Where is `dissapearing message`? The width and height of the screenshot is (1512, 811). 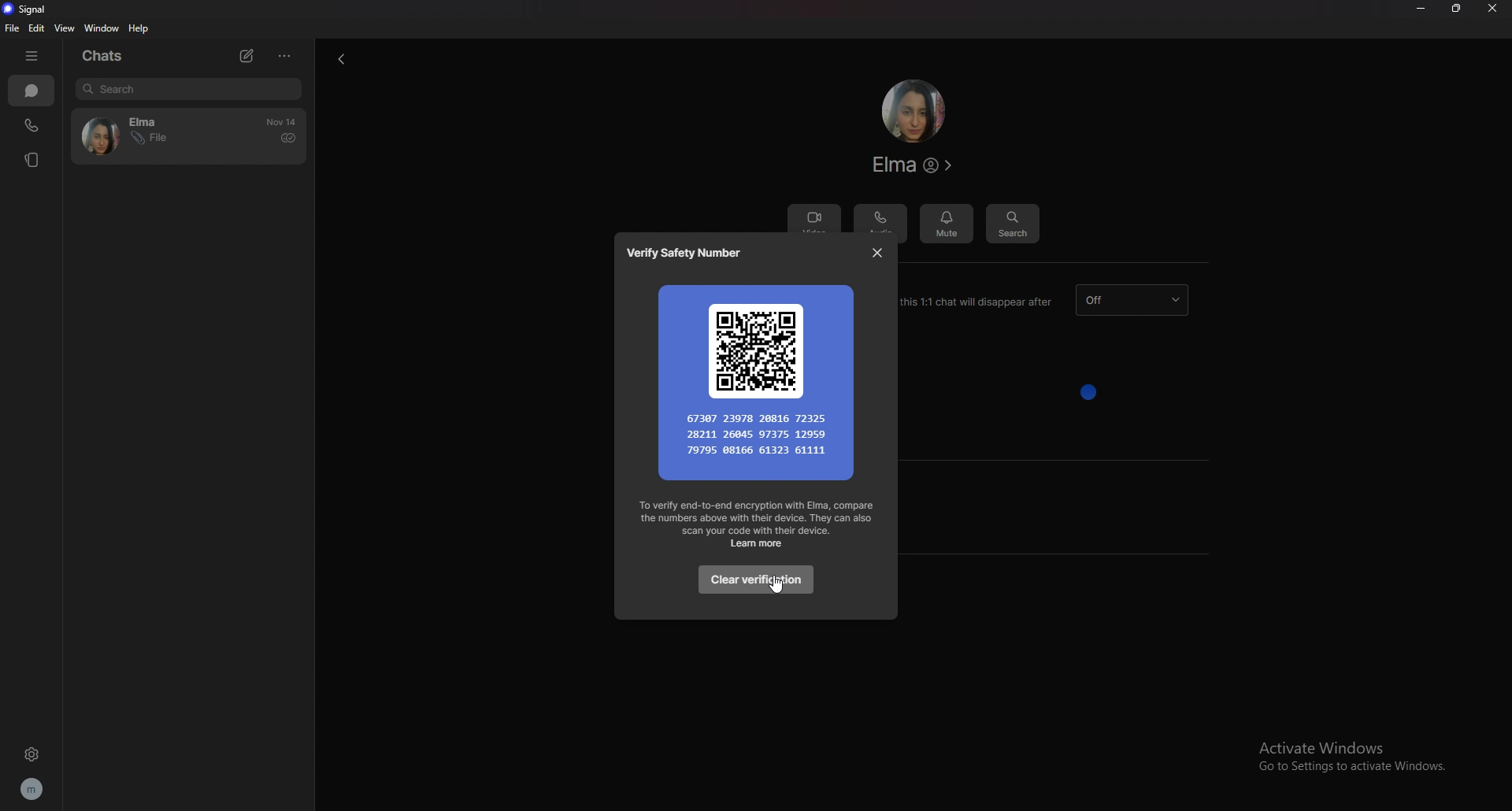
dissapearing message is located at coordinates (1132, 300).